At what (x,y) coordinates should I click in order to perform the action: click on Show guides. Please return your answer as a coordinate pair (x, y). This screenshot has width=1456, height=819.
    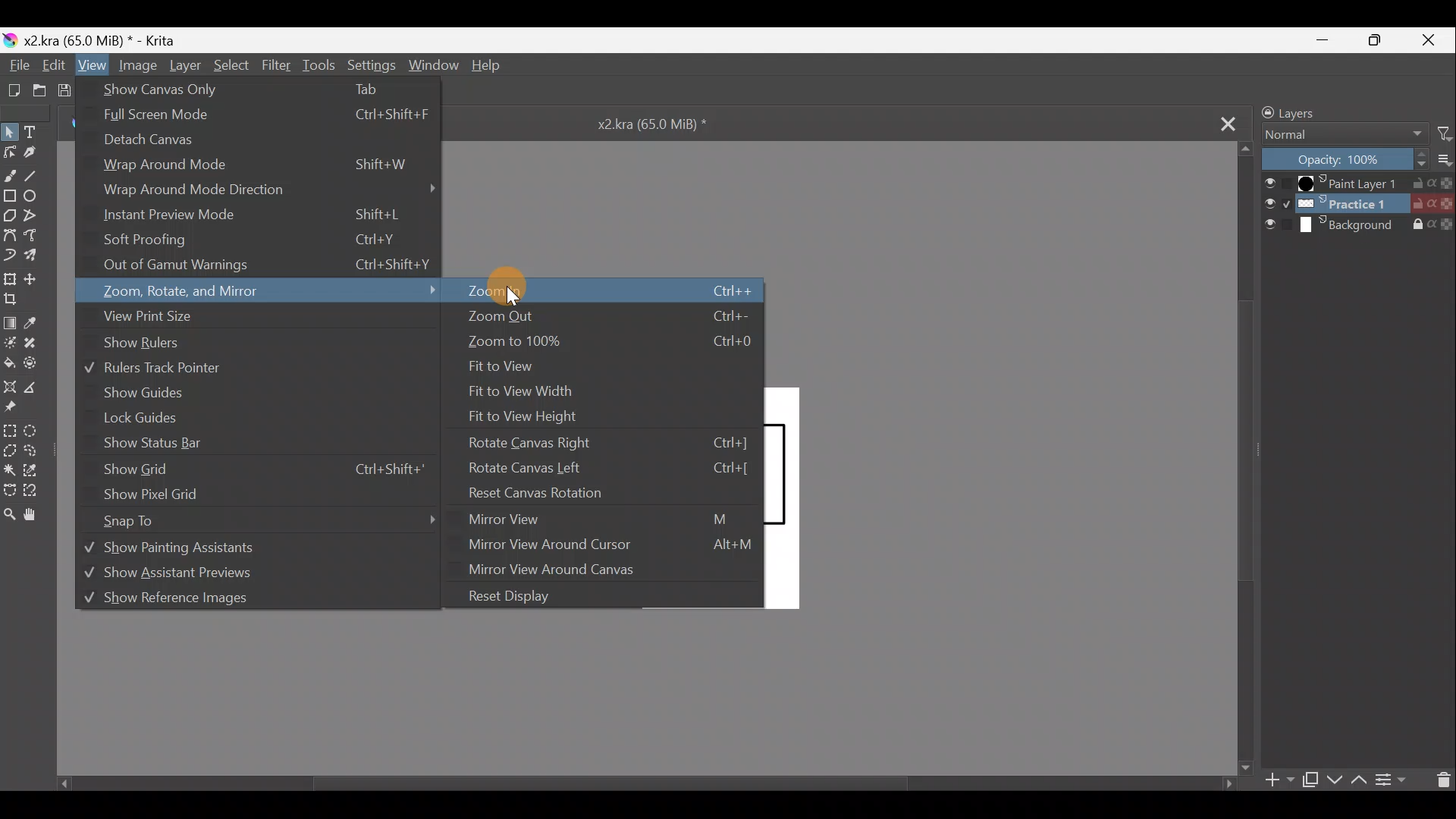
    Looking at the image, I should click on (153, 391).